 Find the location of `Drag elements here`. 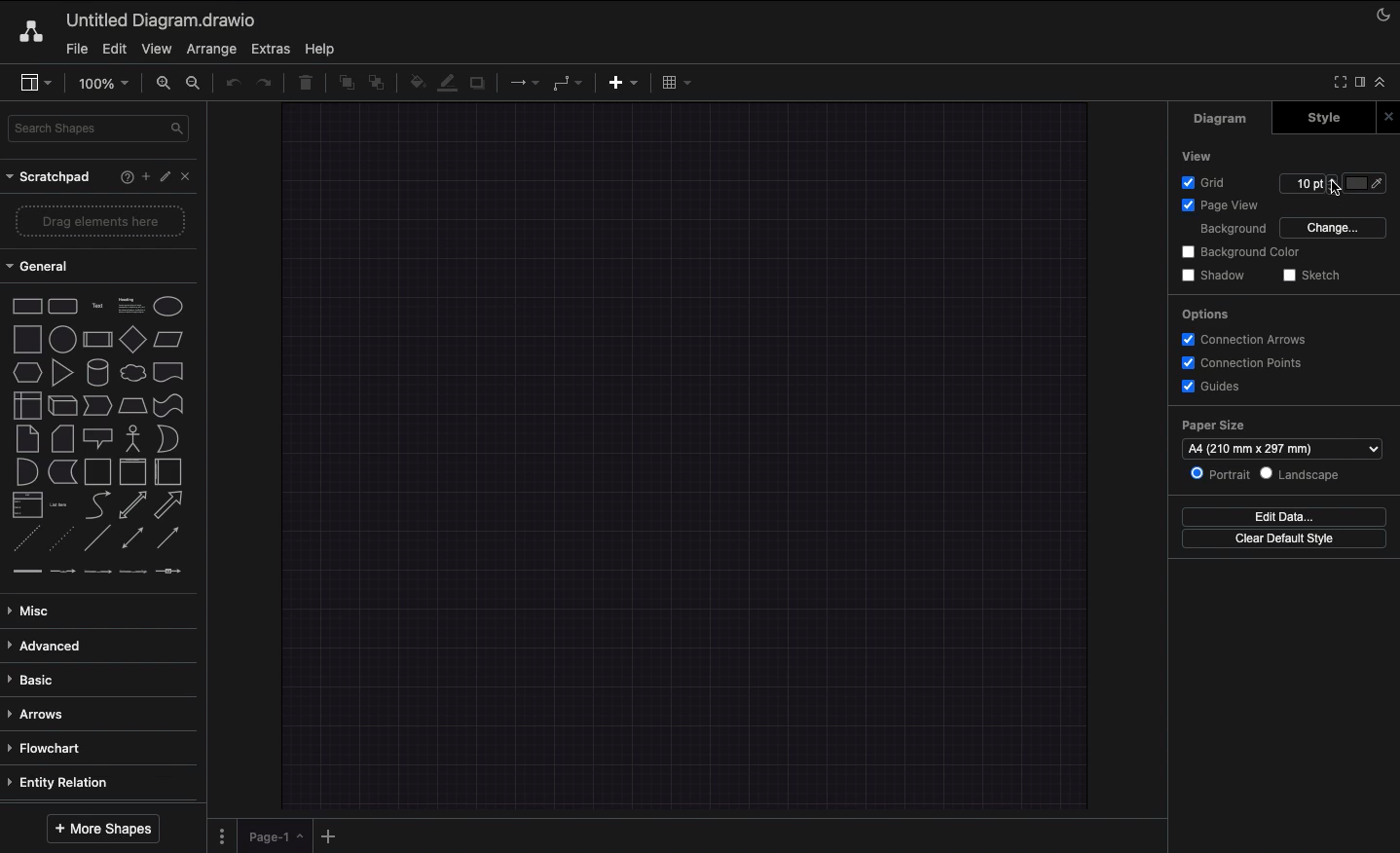

Drag elements here is located at coordinates (101, 220).